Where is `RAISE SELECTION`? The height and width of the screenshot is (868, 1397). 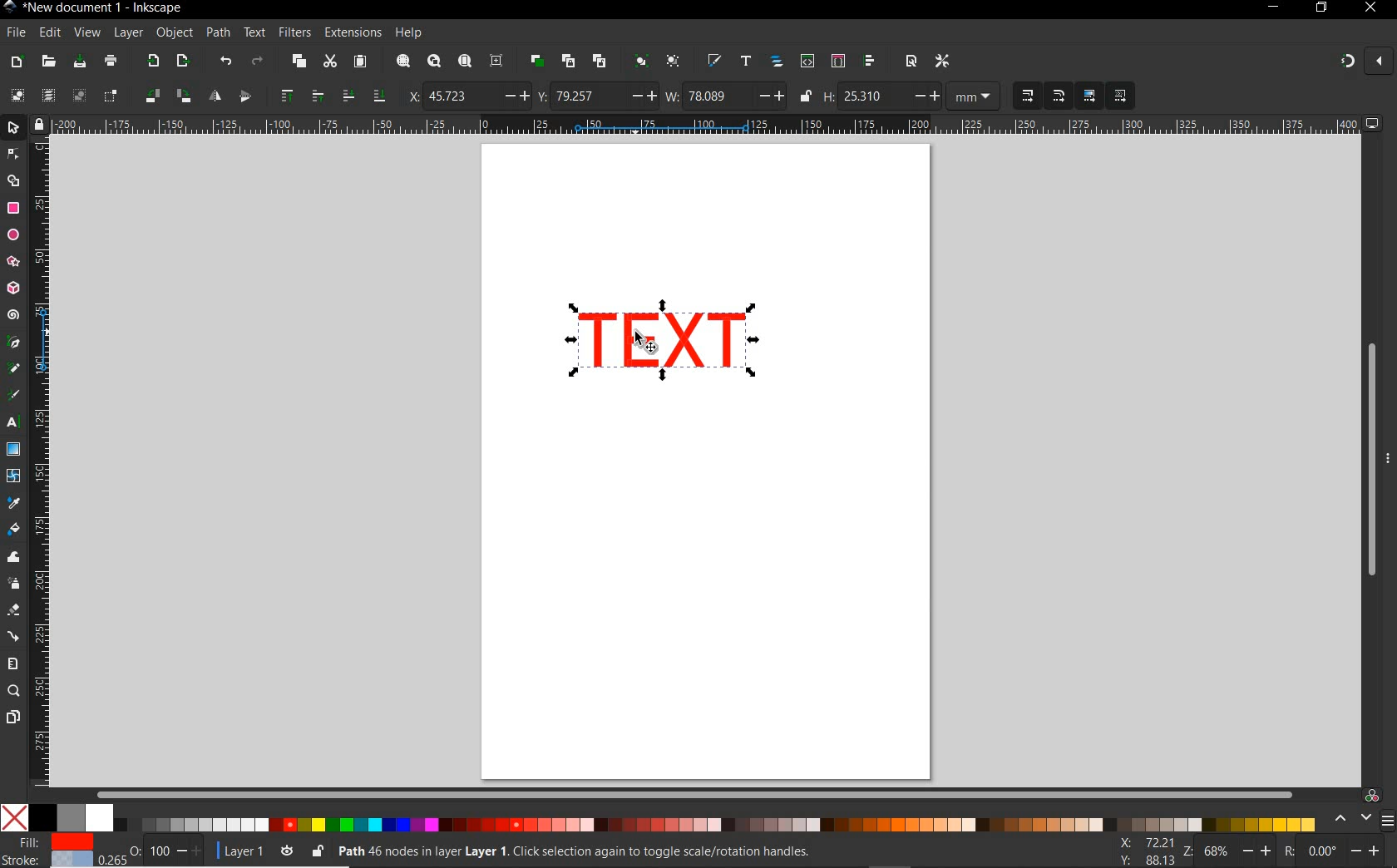
RAISE SELECTION is located at coordinates (297, 95).